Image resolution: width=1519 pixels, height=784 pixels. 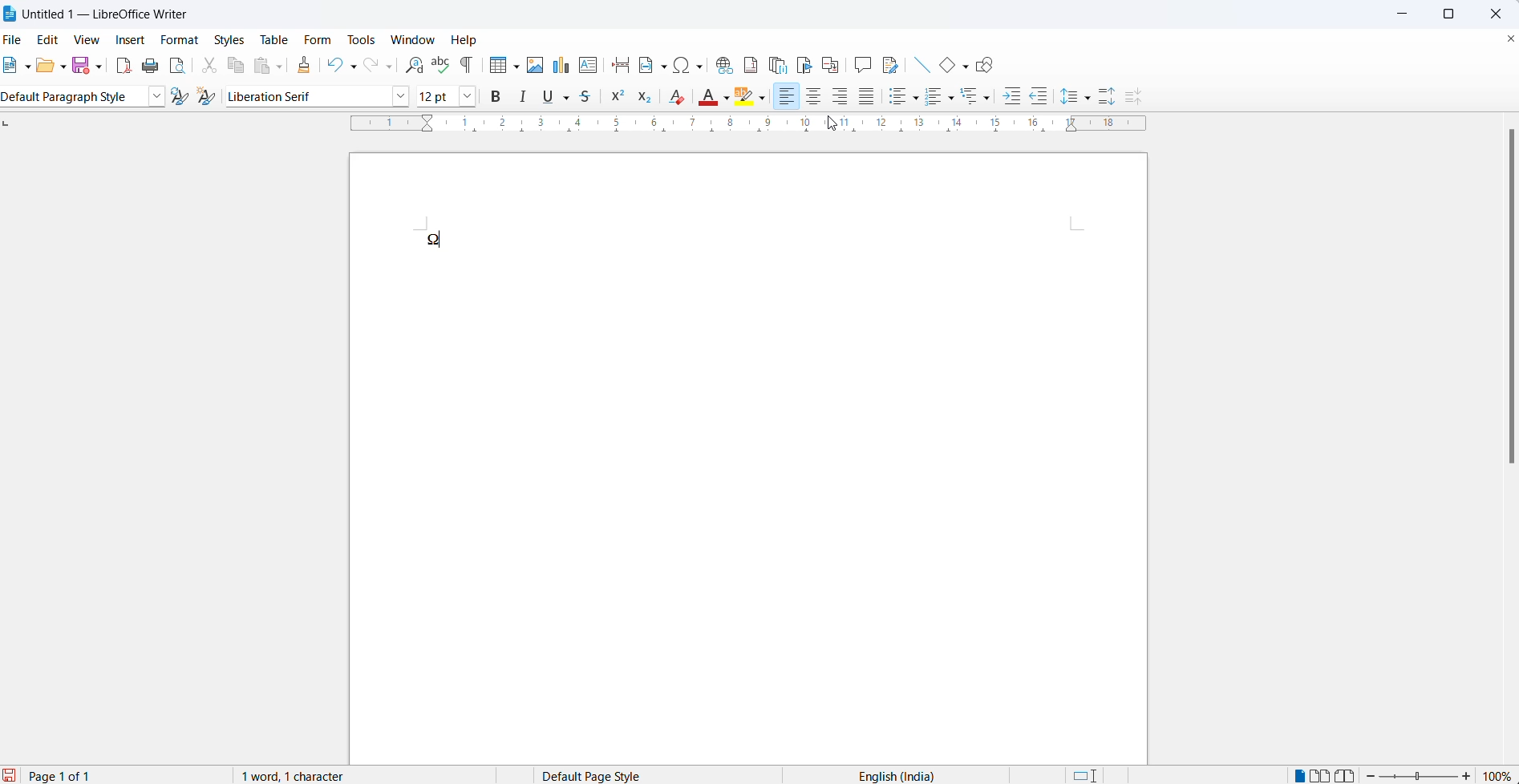 What do you see at coordinates (886, 776) in the screenshot?
I see `text language` at bounding box center [886, 776].